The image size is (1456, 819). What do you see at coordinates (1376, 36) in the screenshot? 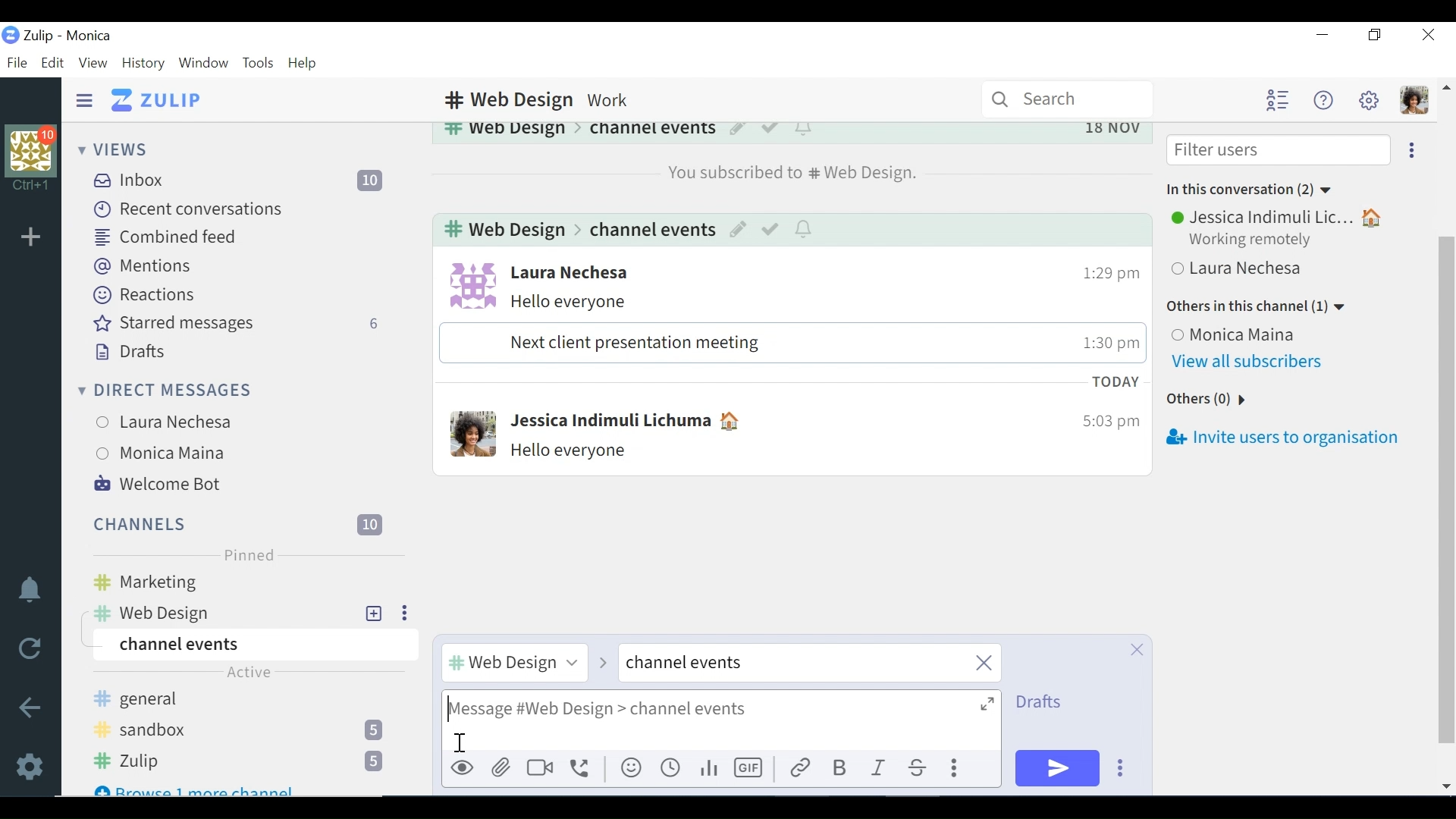
I see `Restore` at bounding box center [1376, 36].